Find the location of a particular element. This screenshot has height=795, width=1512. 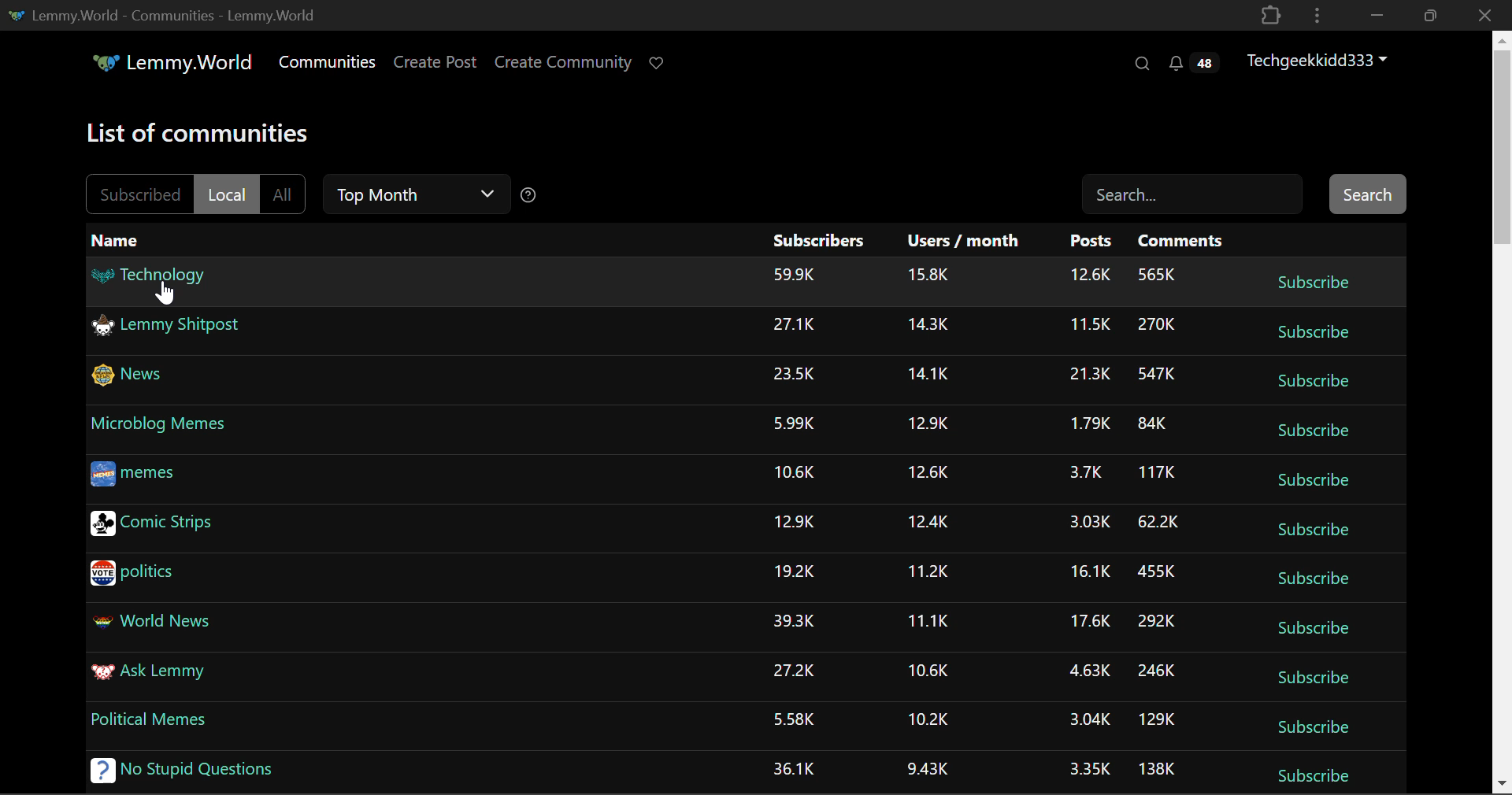

Amount  is located at coordinates (1092, 770).